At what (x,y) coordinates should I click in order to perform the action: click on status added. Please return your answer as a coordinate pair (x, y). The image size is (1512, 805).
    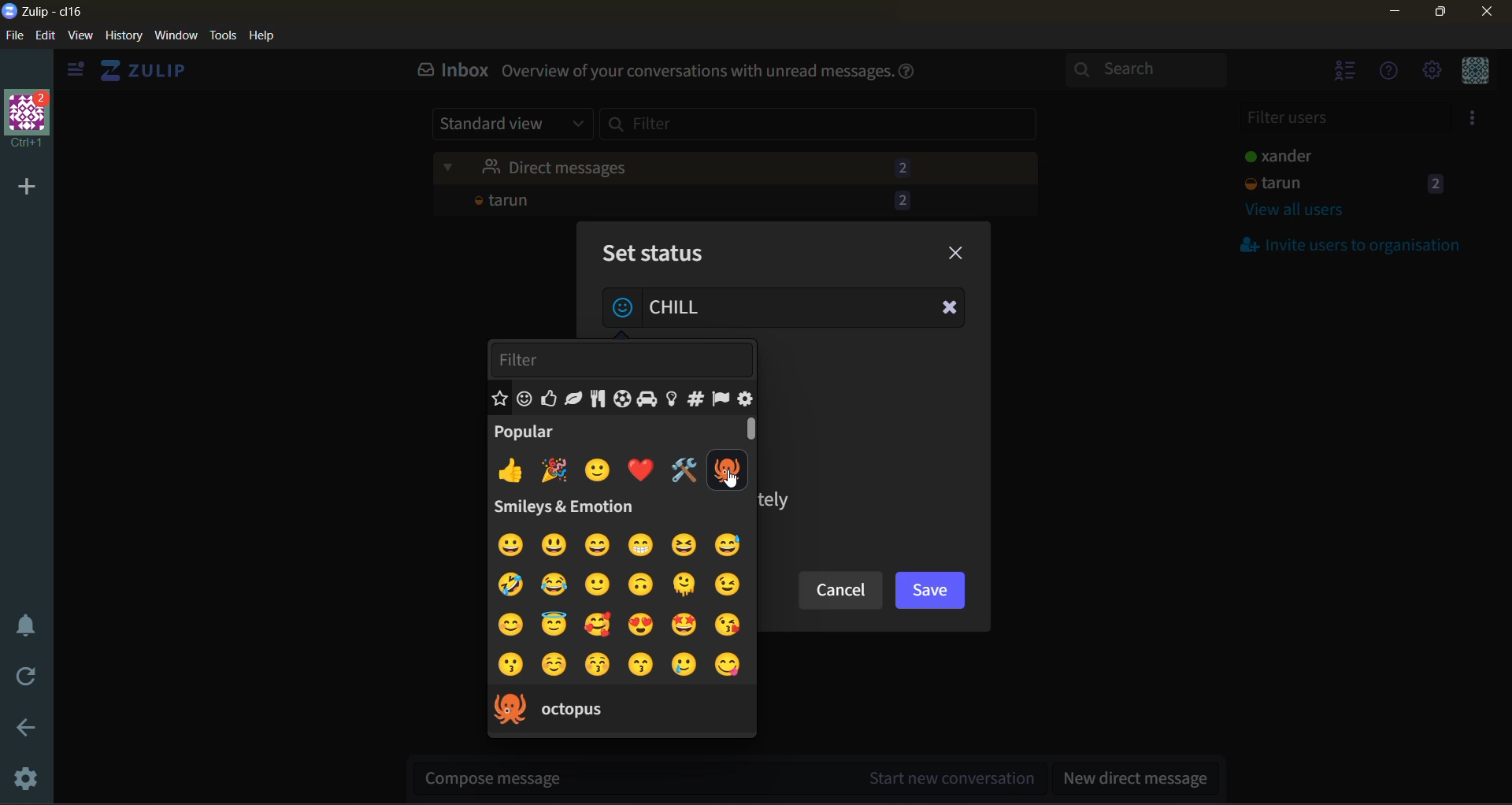
    Looking at the image, I should click on (674, 307).